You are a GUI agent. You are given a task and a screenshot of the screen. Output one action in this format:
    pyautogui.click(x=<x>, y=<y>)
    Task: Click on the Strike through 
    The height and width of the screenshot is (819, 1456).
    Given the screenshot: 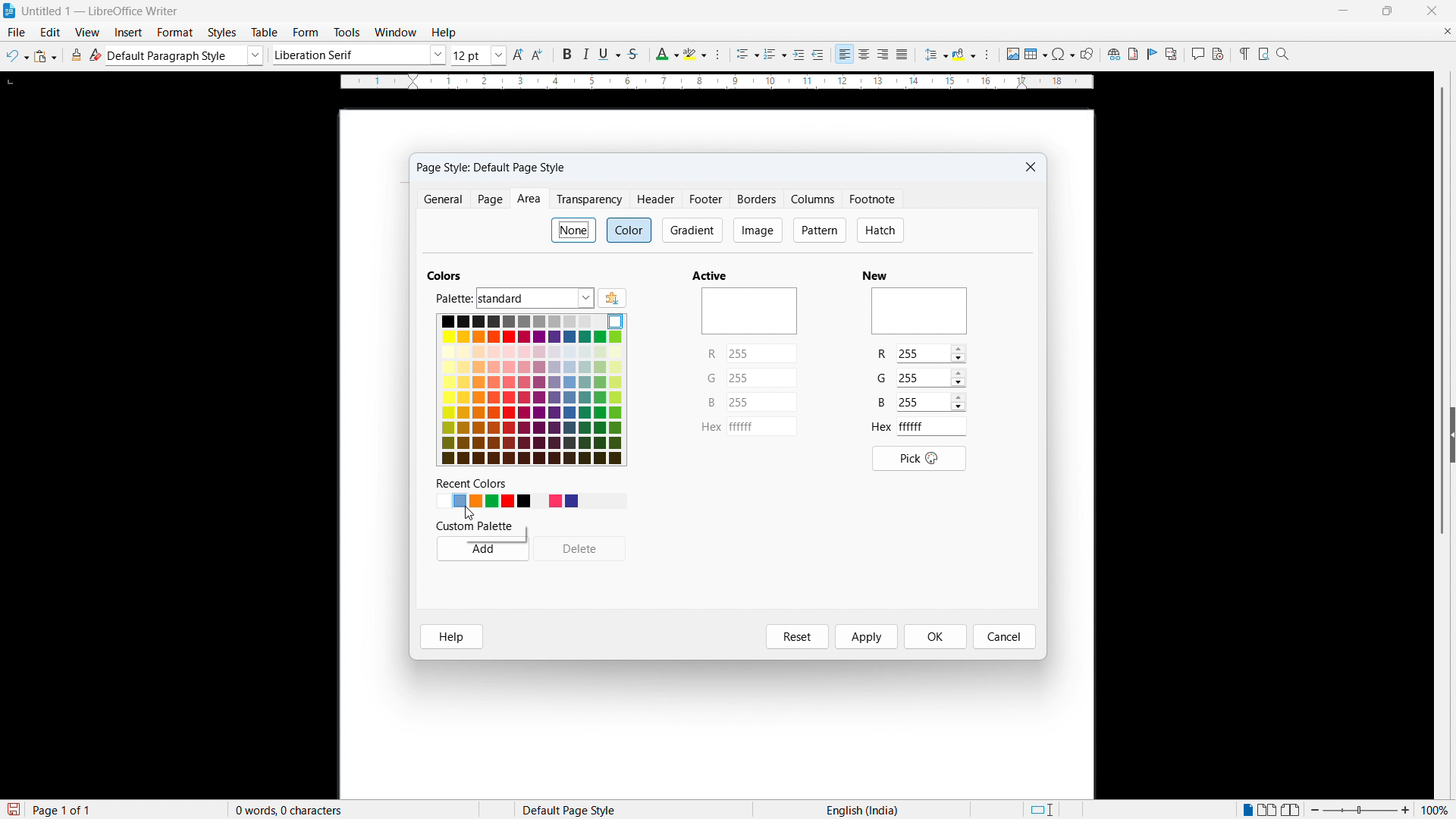 What is the action you would take?
    pyautogui.click(x=632, y=54)
    